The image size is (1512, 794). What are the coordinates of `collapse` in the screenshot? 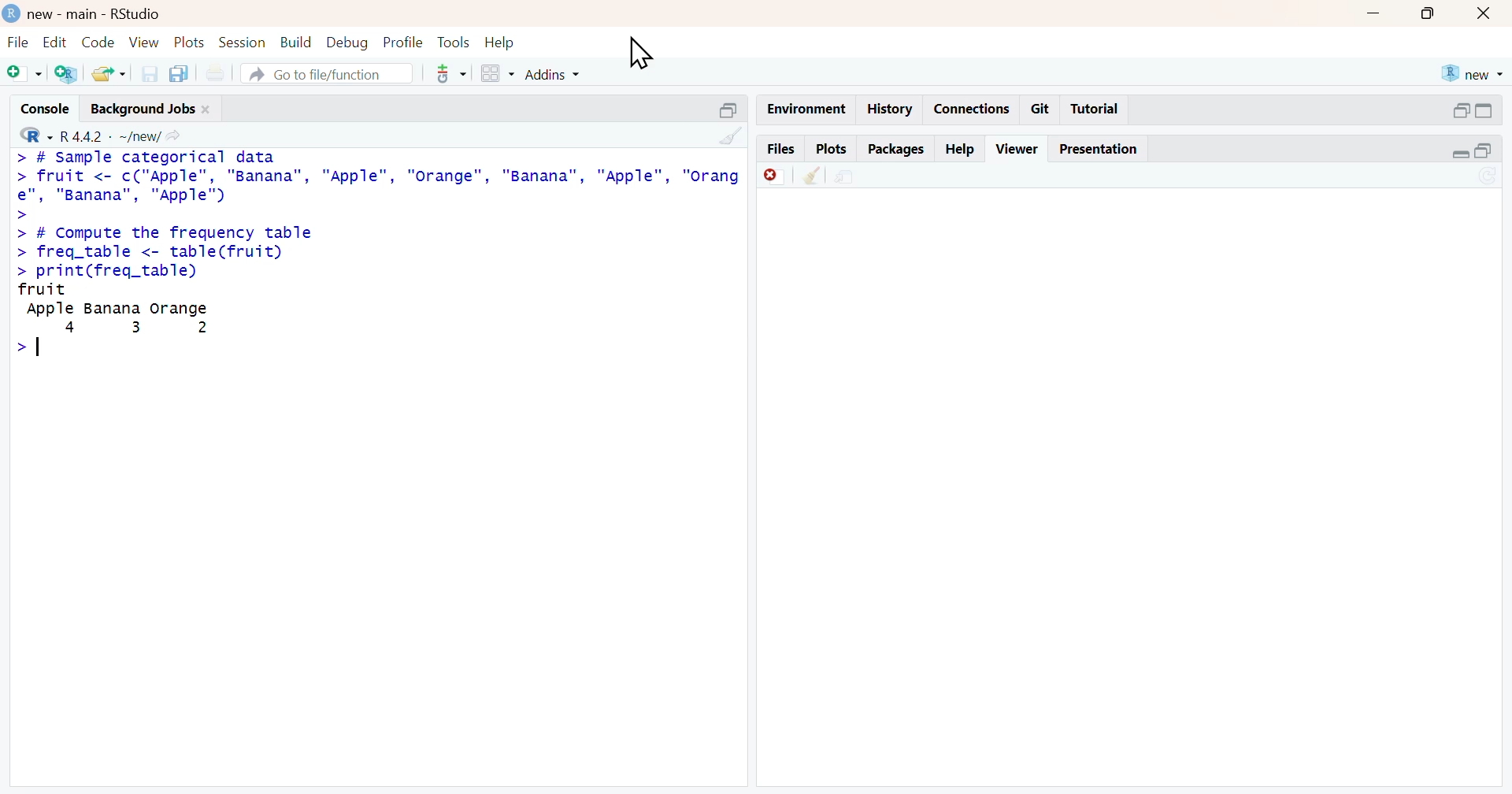 It's located at (732, 113).